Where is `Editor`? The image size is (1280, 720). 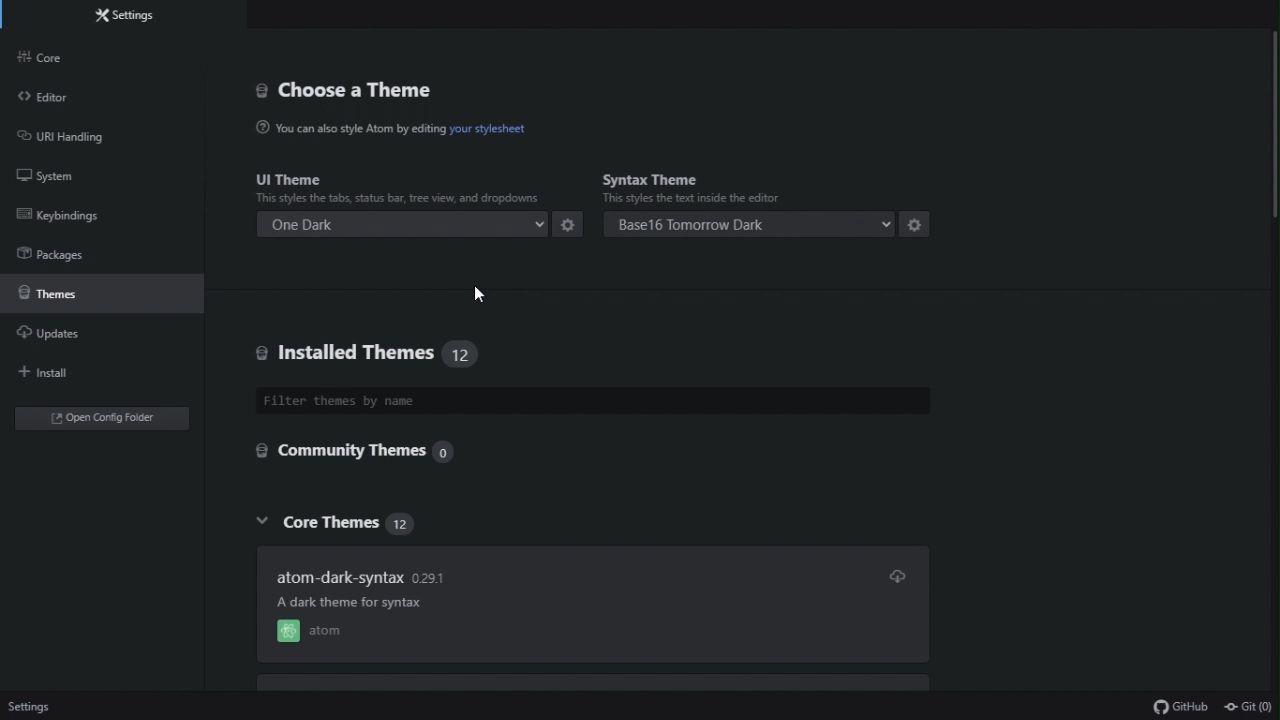
Editor is located at coordinates (67, 102).